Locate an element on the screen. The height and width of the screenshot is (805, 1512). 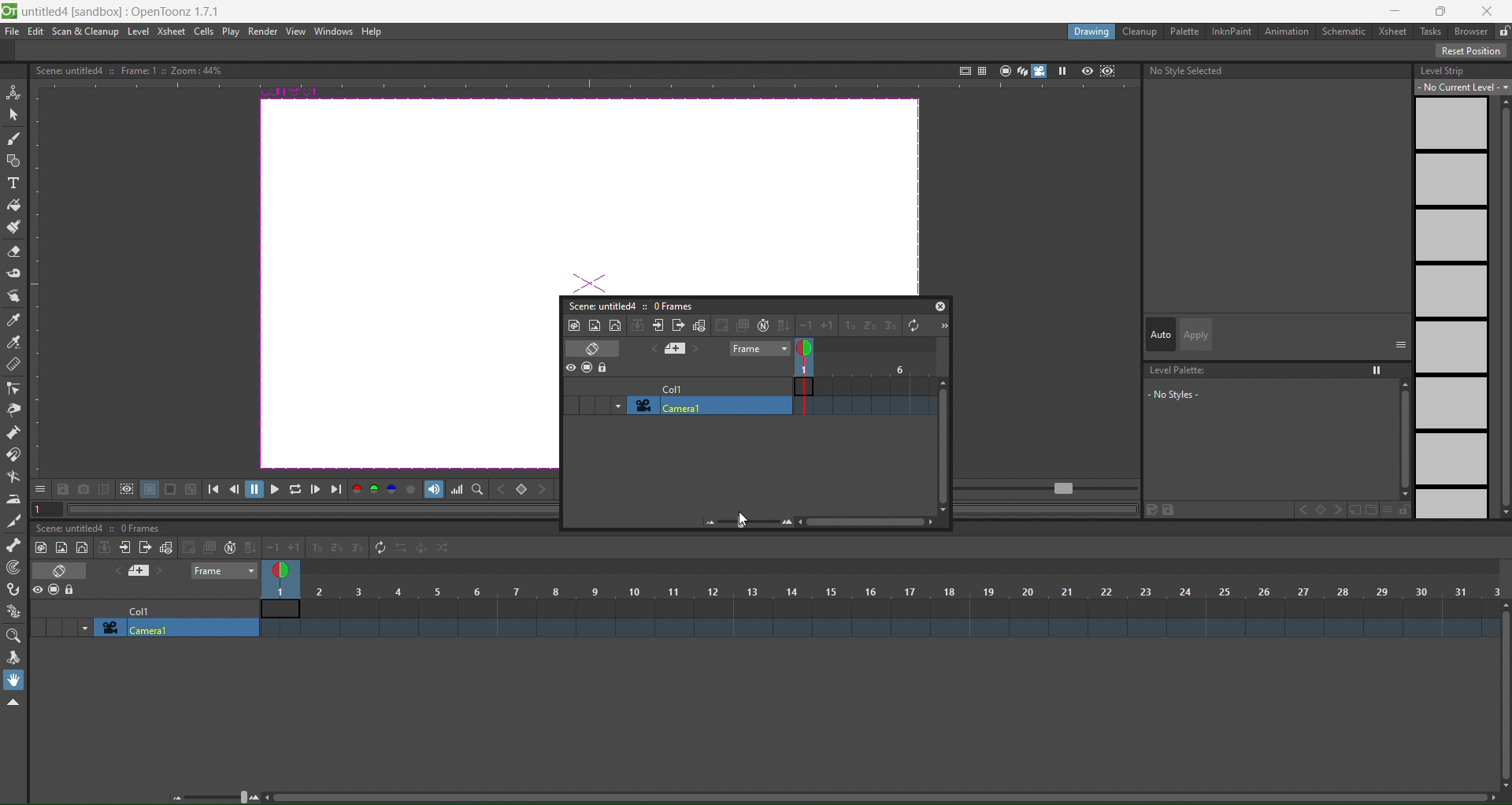
 is located at coordinates (593, 347).